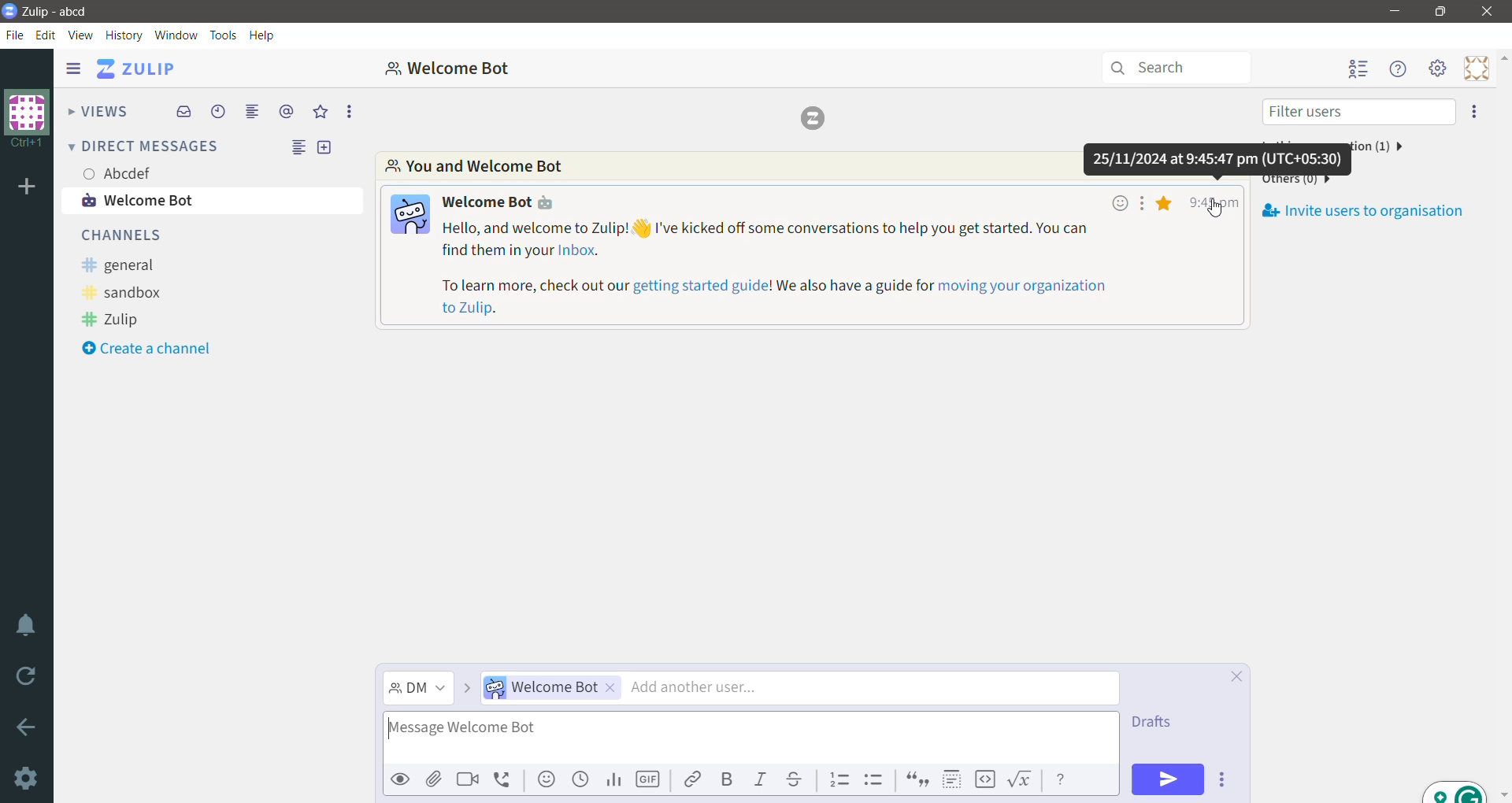 Image resolution: width=1512 pixels, height=803 pixels. I want to click on Message Timestamp displayed, so click(1218, 160).